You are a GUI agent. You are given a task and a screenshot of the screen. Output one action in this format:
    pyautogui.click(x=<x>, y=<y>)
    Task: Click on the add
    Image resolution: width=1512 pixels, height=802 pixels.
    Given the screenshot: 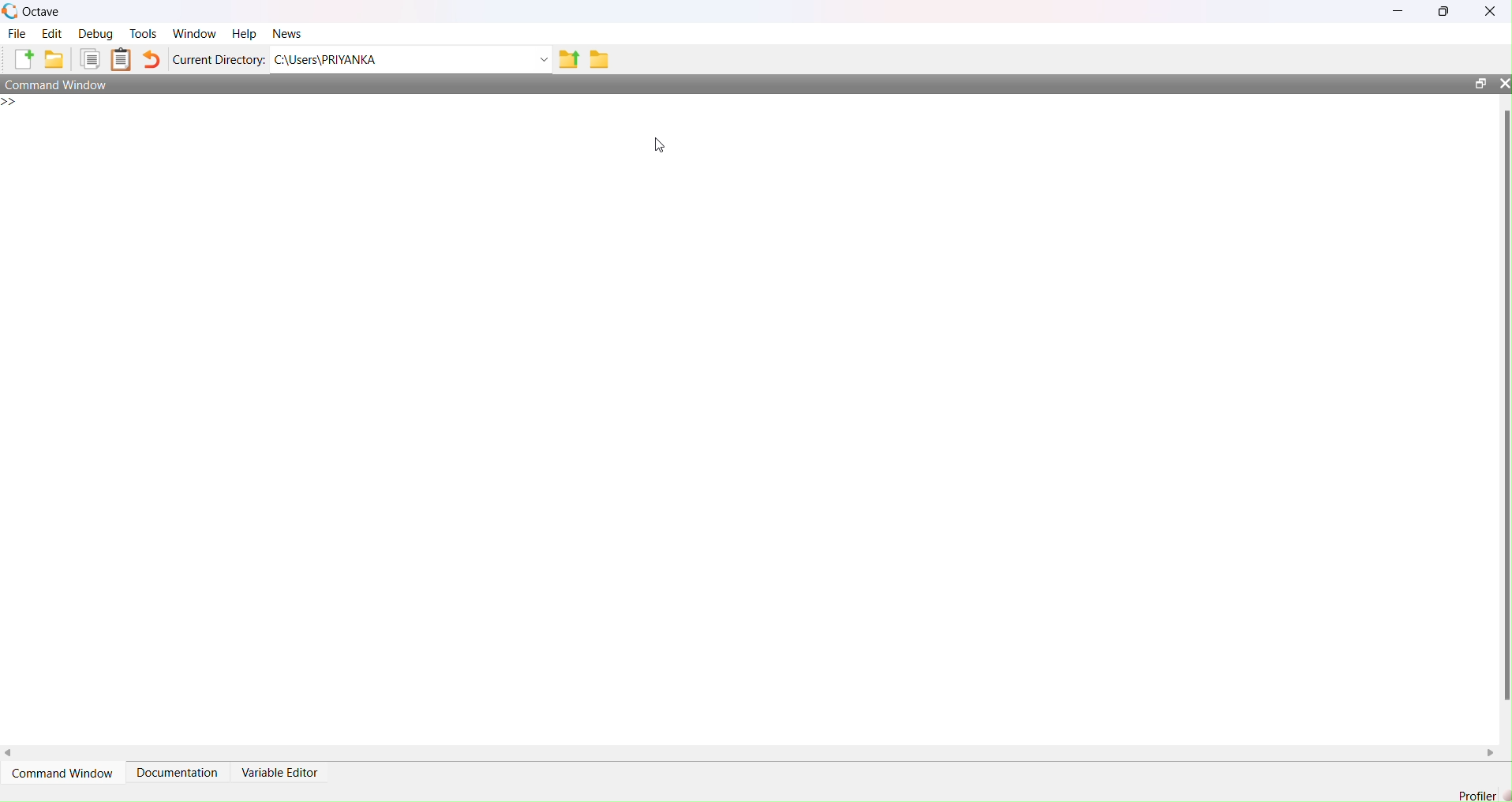 What is the action you would take?
    pyautogui.click(x=27, y=61)
    